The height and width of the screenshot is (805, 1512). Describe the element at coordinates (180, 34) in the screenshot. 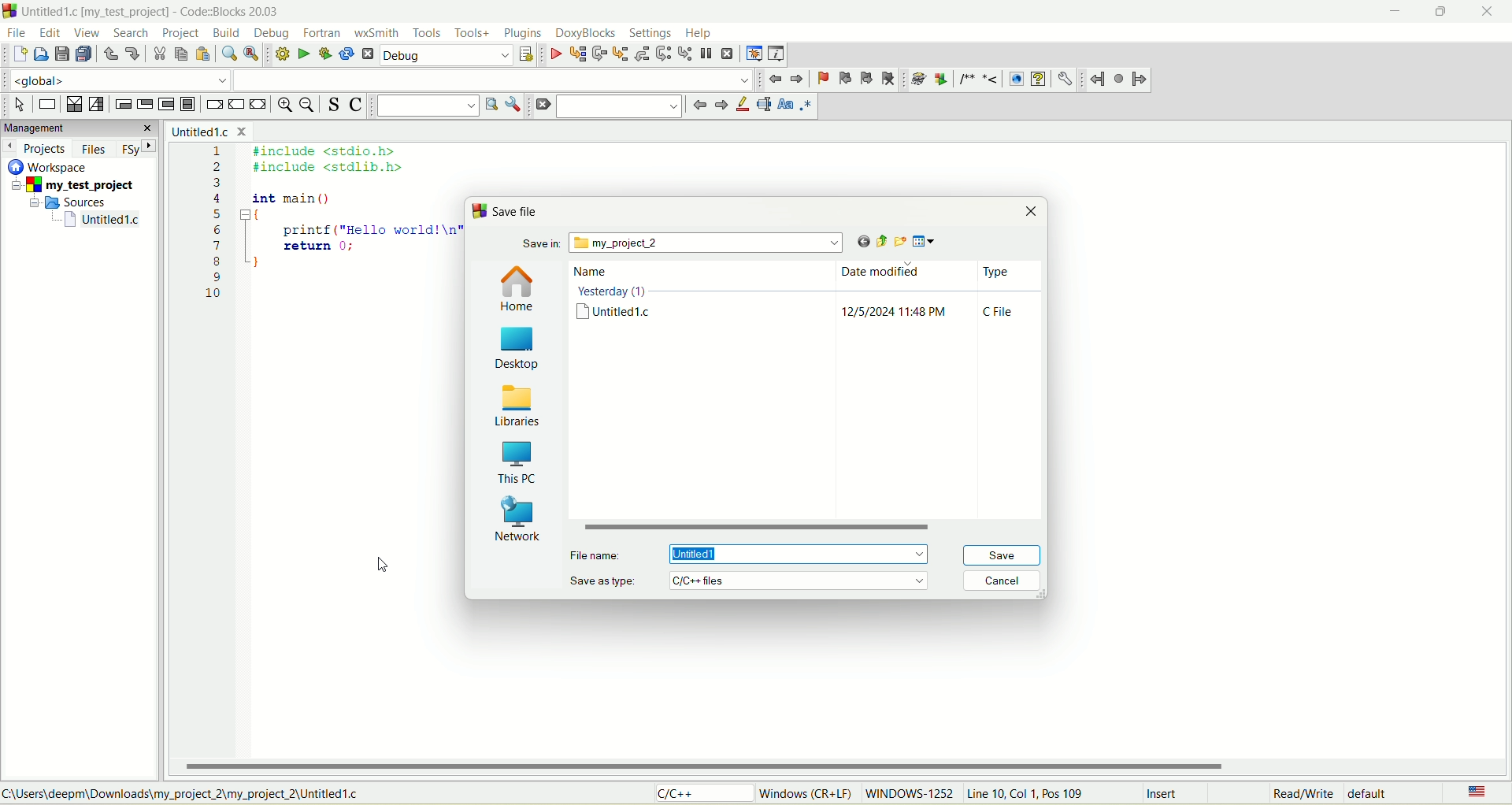

I see `project` at that location.